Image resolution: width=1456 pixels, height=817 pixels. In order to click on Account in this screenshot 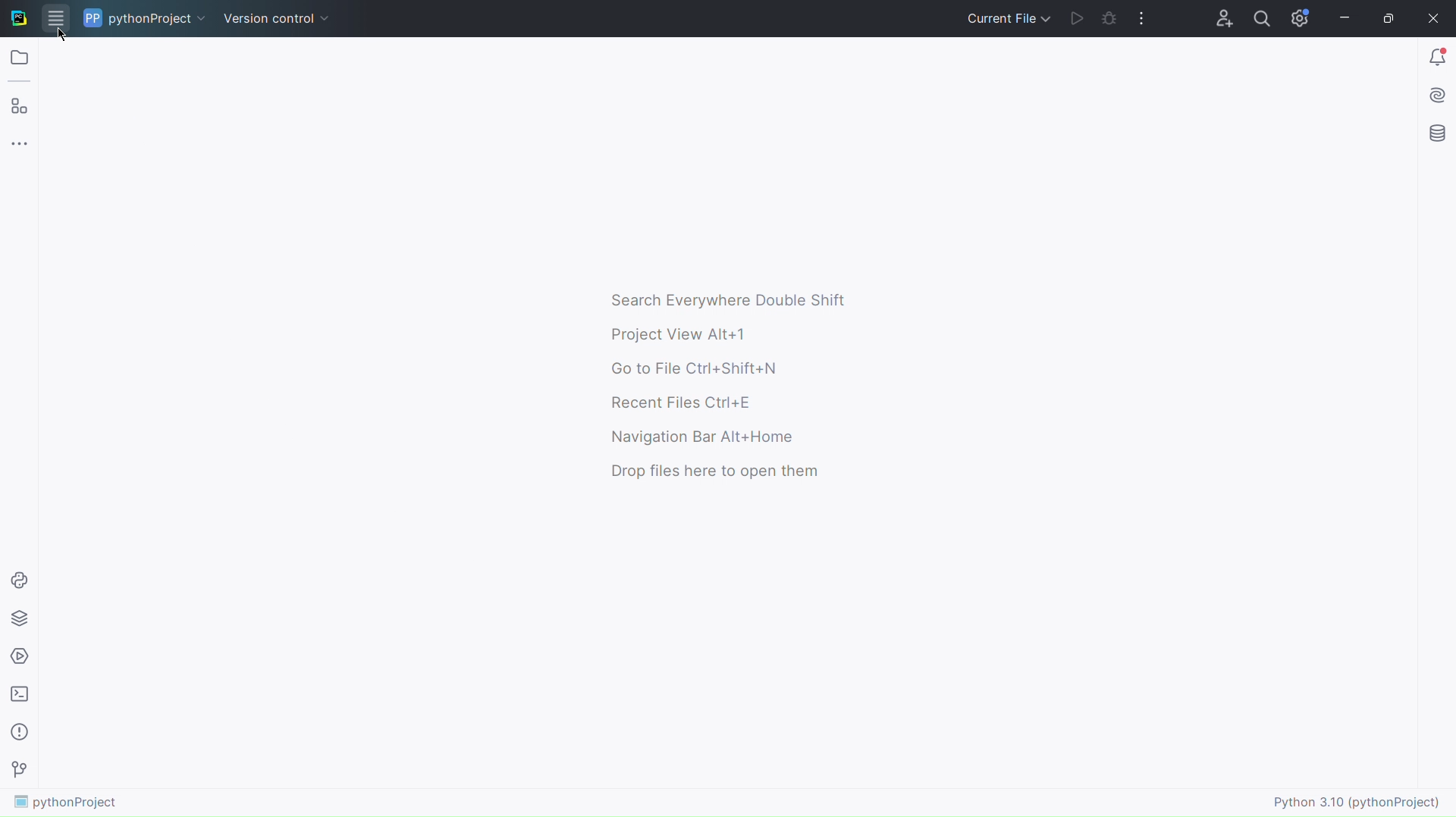, I will do `click(1219, 17)`.